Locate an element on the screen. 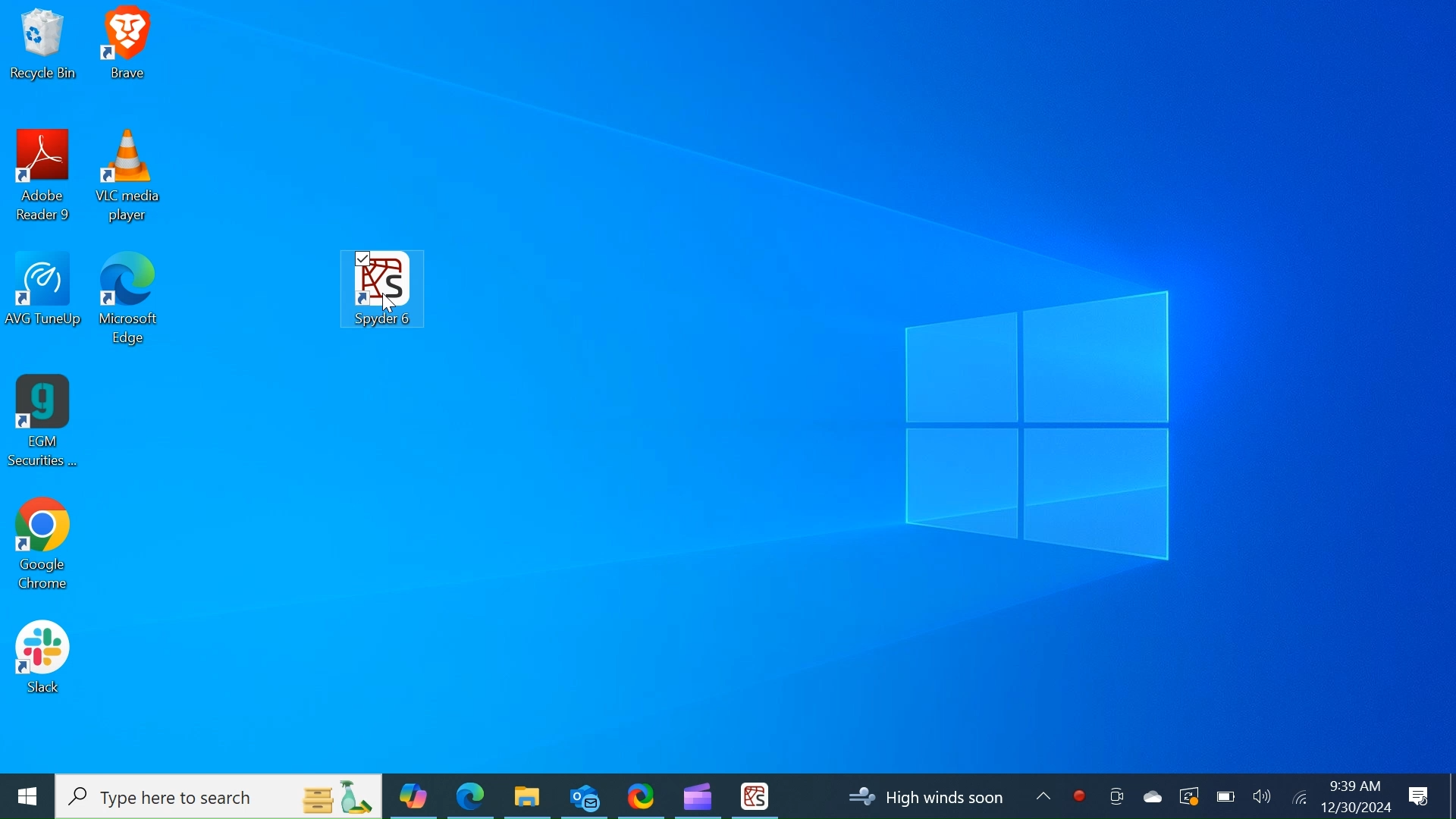  show hidden icons is located at coordinates (1045, 800).